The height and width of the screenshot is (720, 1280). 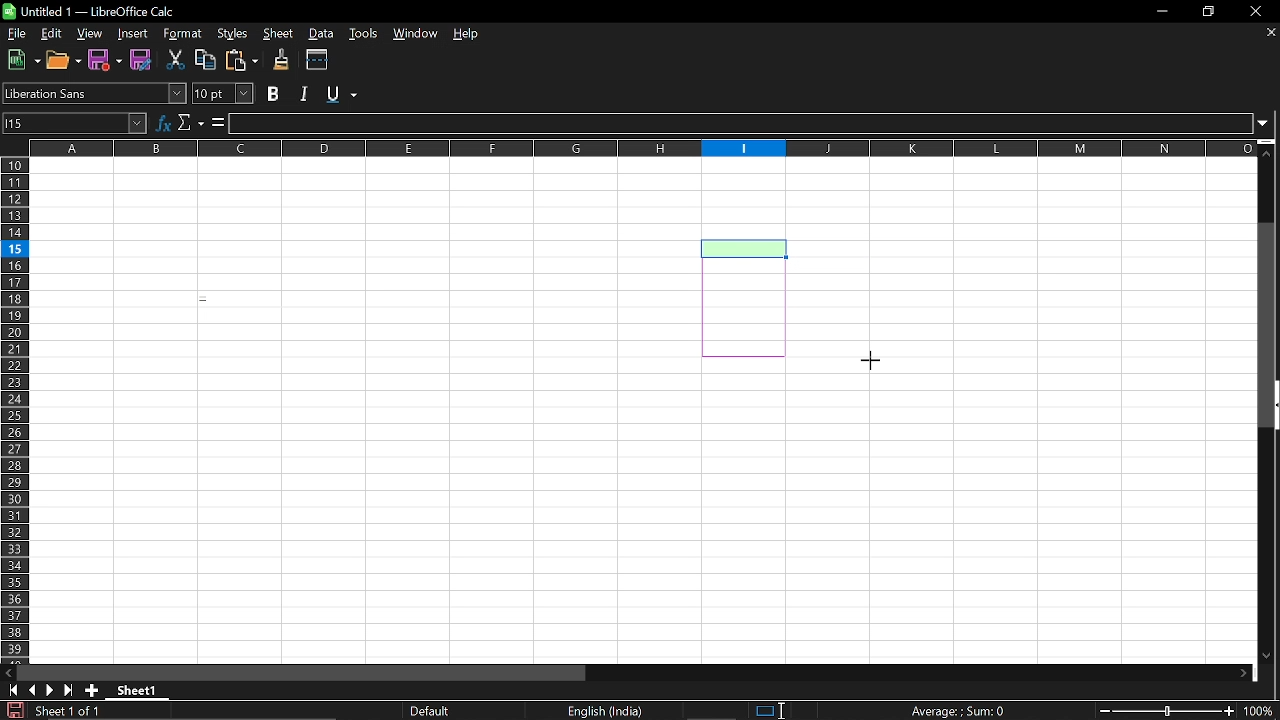 What do you see at coordinates (366, 35) in the screenshot?
I see `Tools` at bounding box center [366, 35].